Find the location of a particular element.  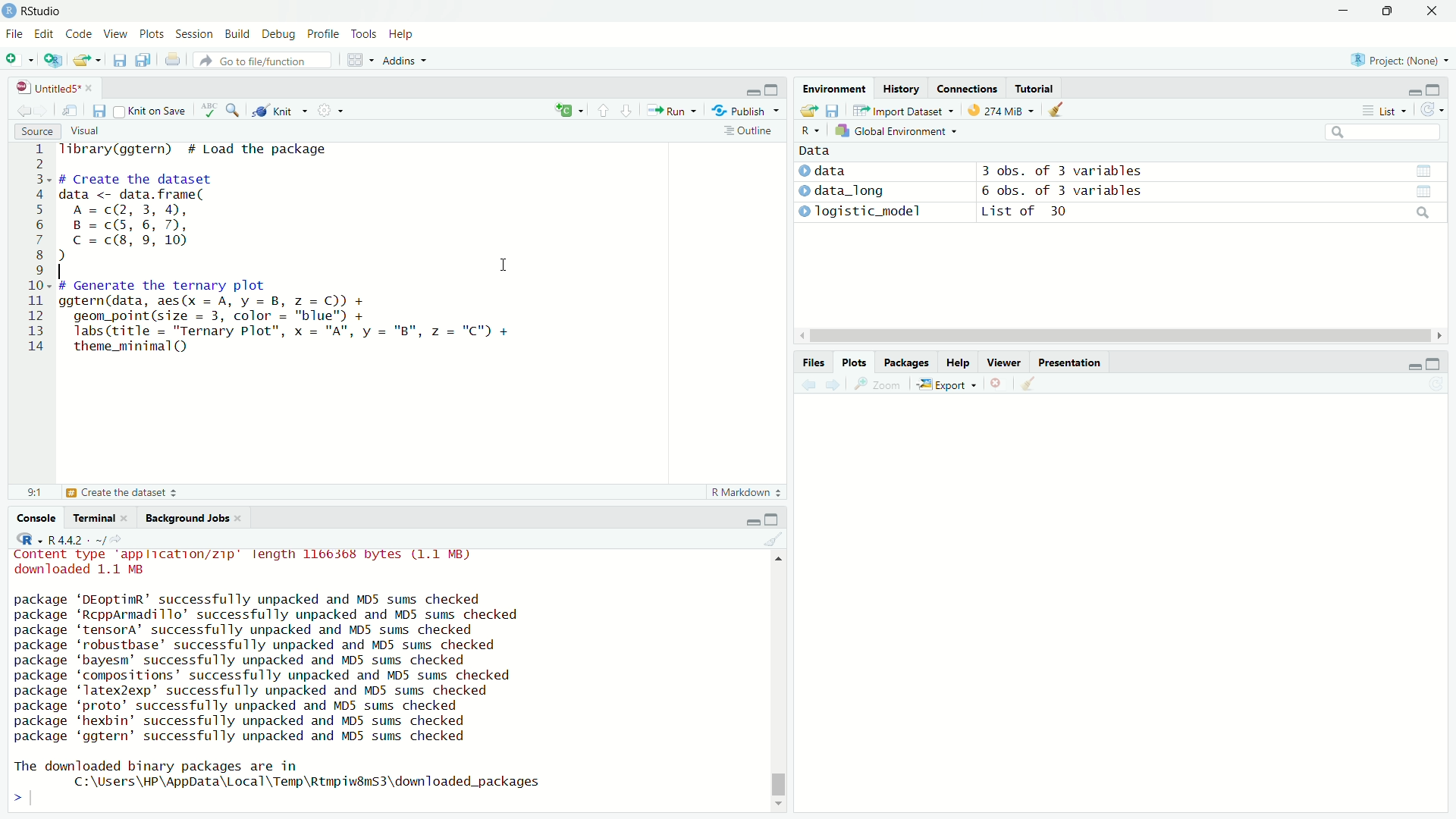

Presentation is located at coordinates (1072, 362).